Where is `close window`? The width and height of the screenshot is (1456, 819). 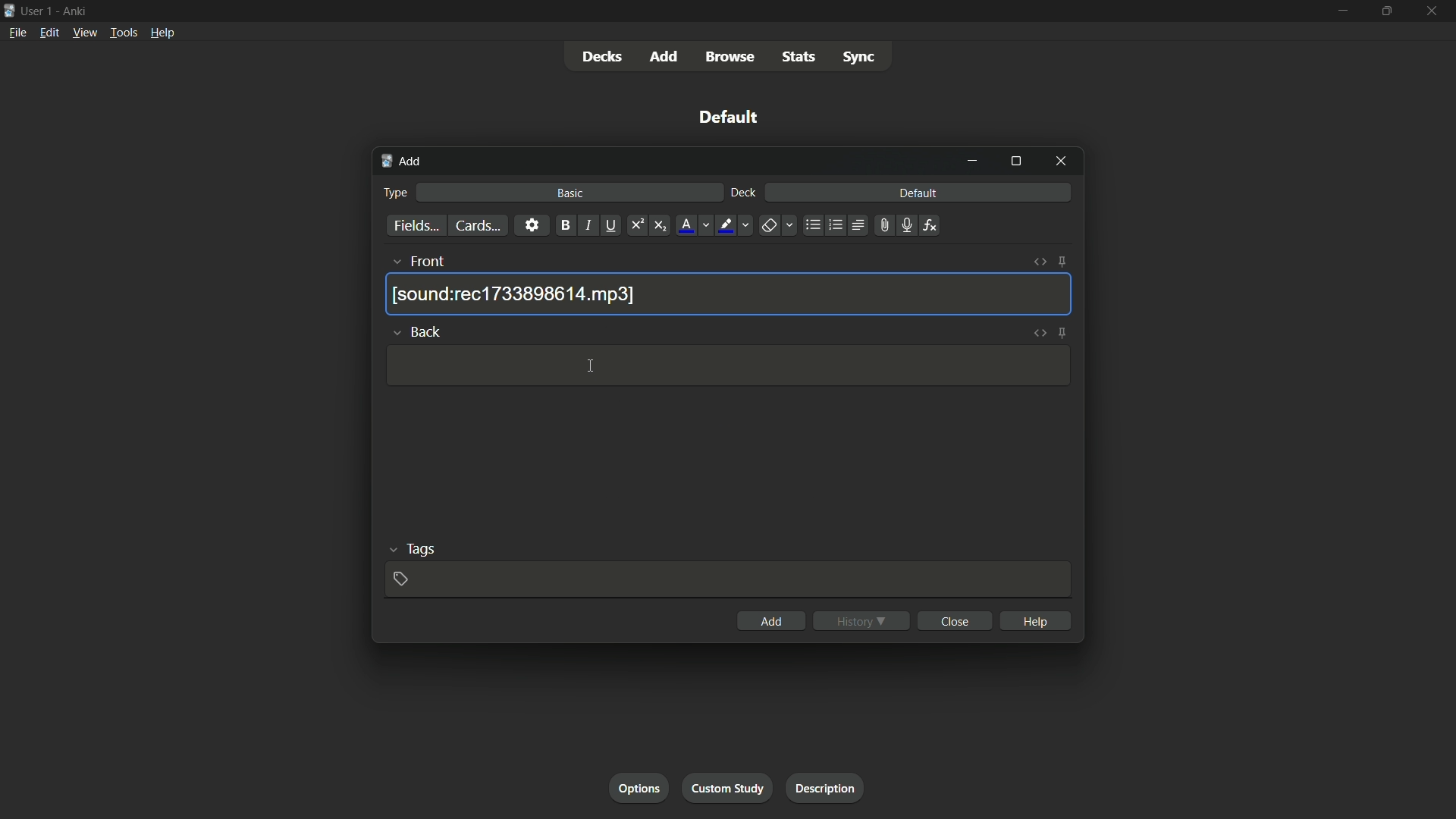
close window is located at coordinates (1059, 162).